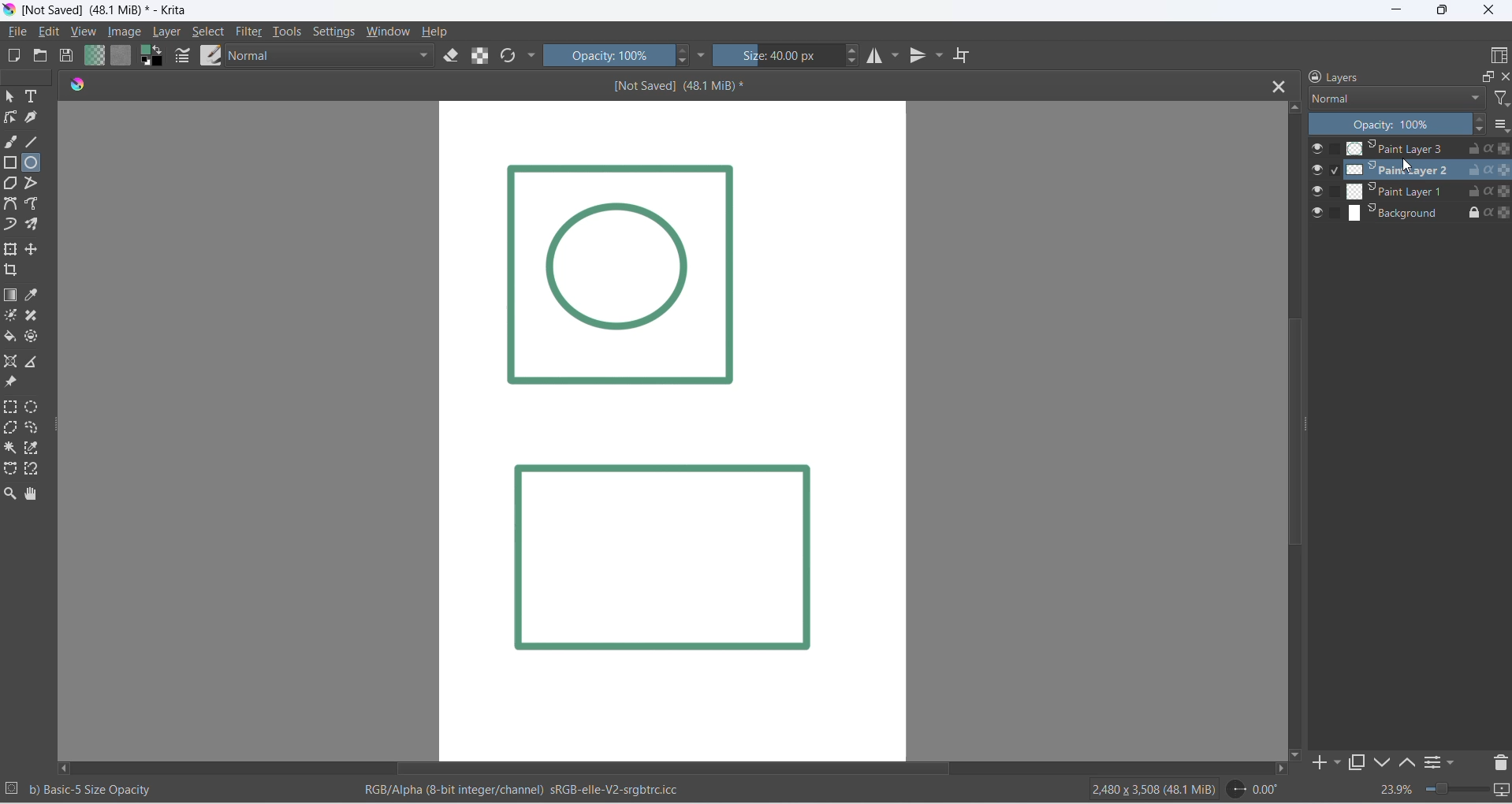 This screenshot has width=1512, height=804. I want to click on checkbox, so click(1337, 148).